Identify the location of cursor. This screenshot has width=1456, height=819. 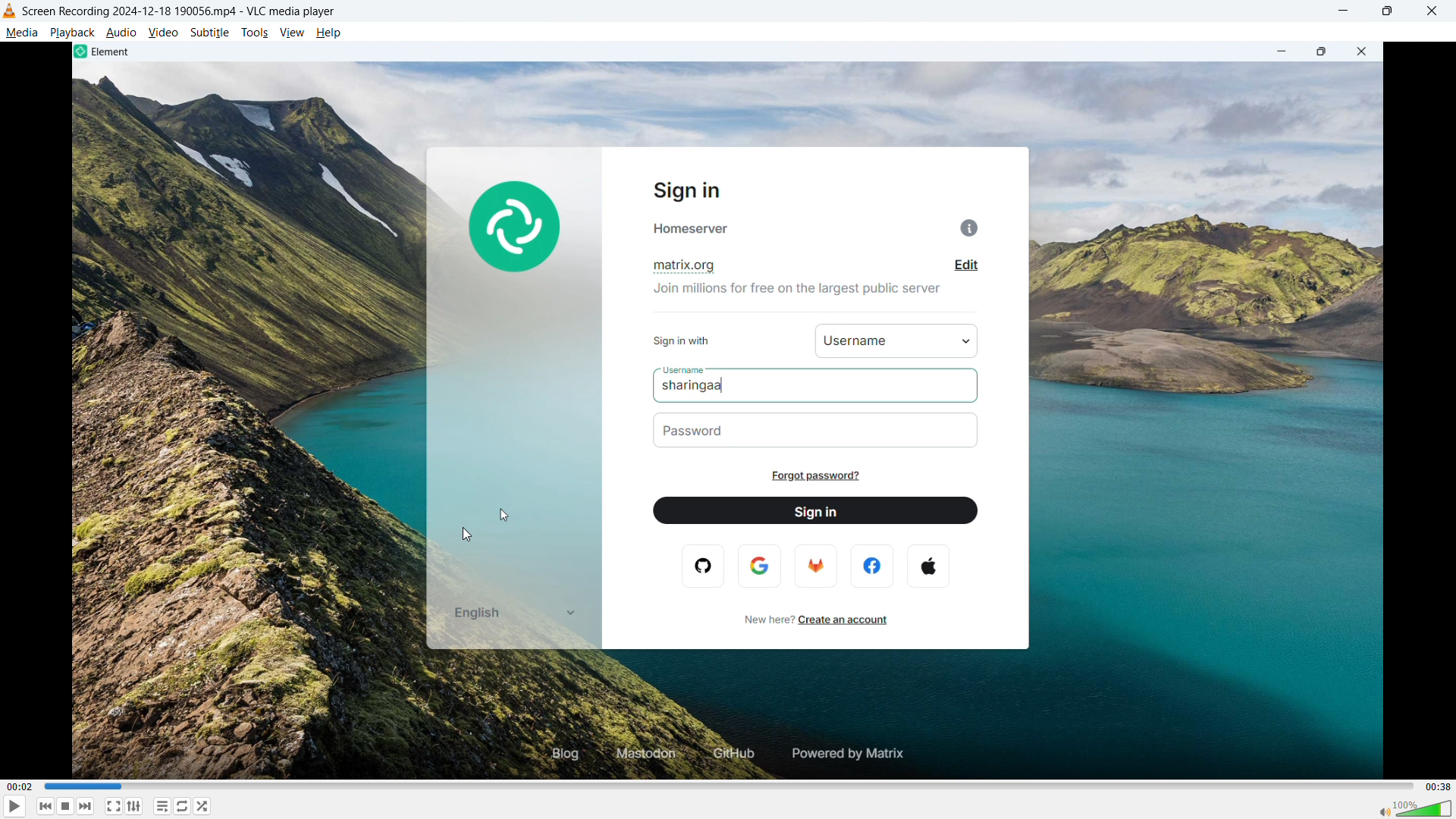
(470, 534).